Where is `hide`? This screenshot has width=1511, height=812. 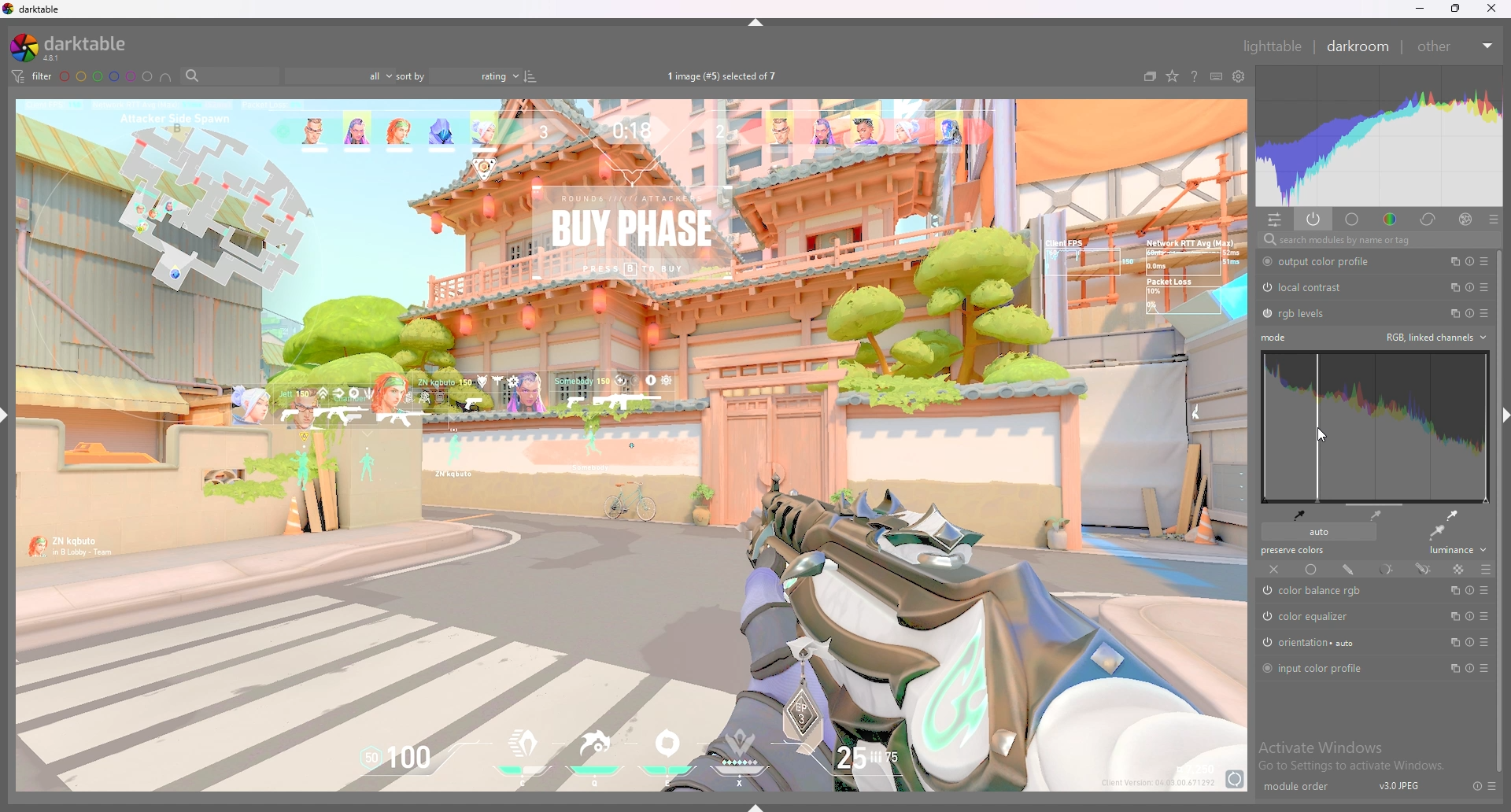
hide is located at coordinates (9, 414).